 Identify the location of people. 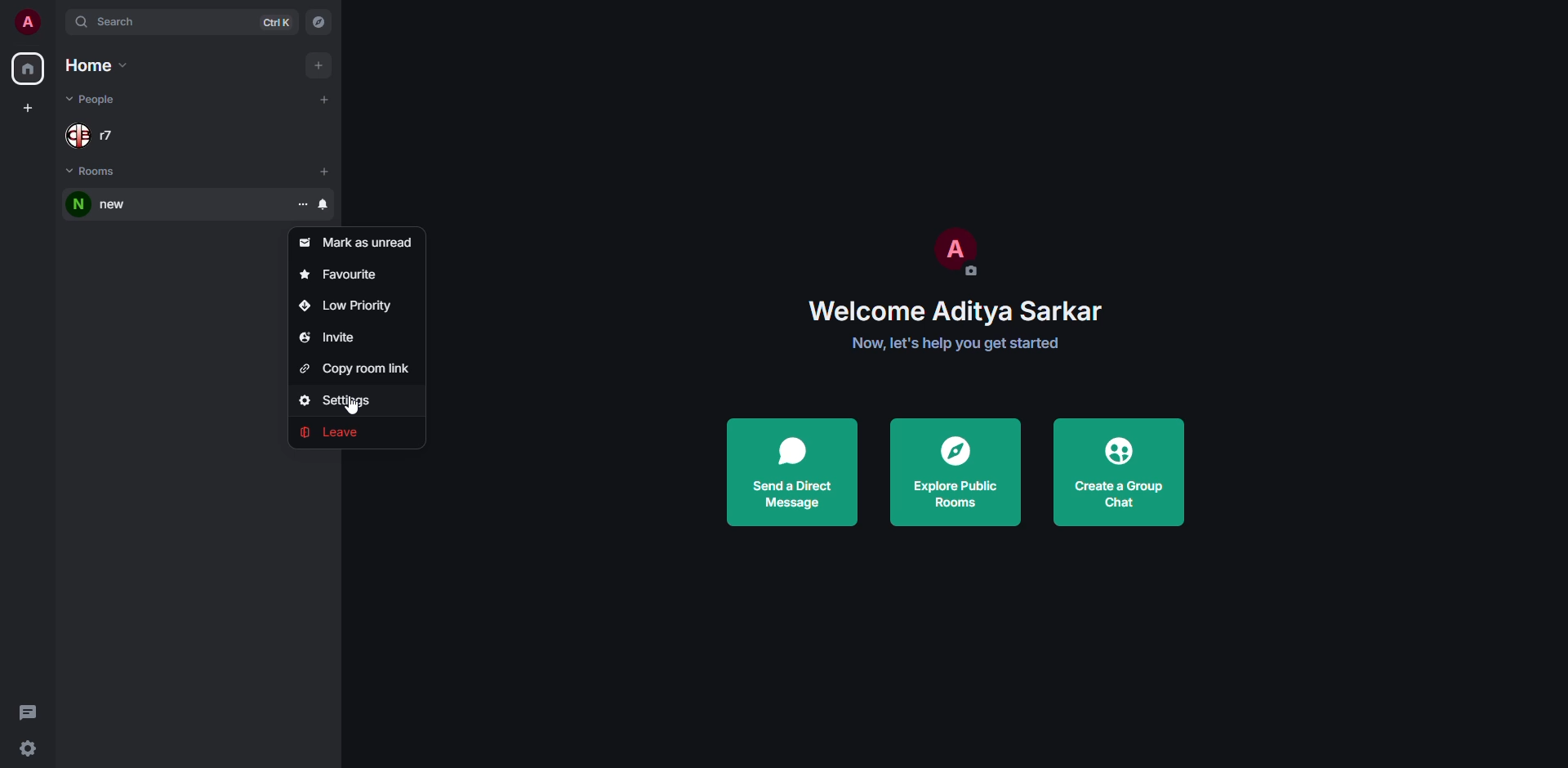
(99, 134).